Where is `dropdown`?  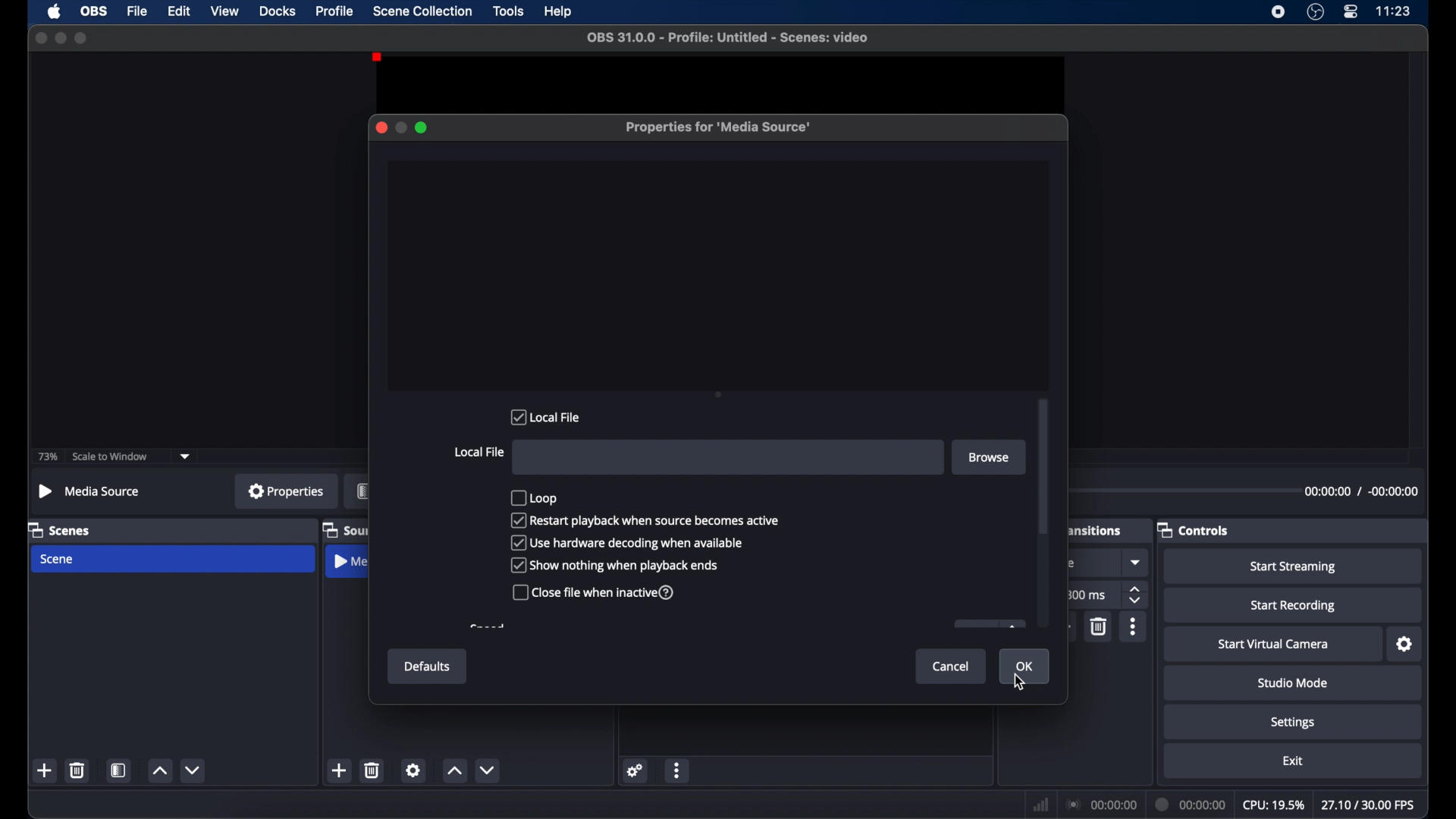
dropdown is located at coordinates (185, 457).